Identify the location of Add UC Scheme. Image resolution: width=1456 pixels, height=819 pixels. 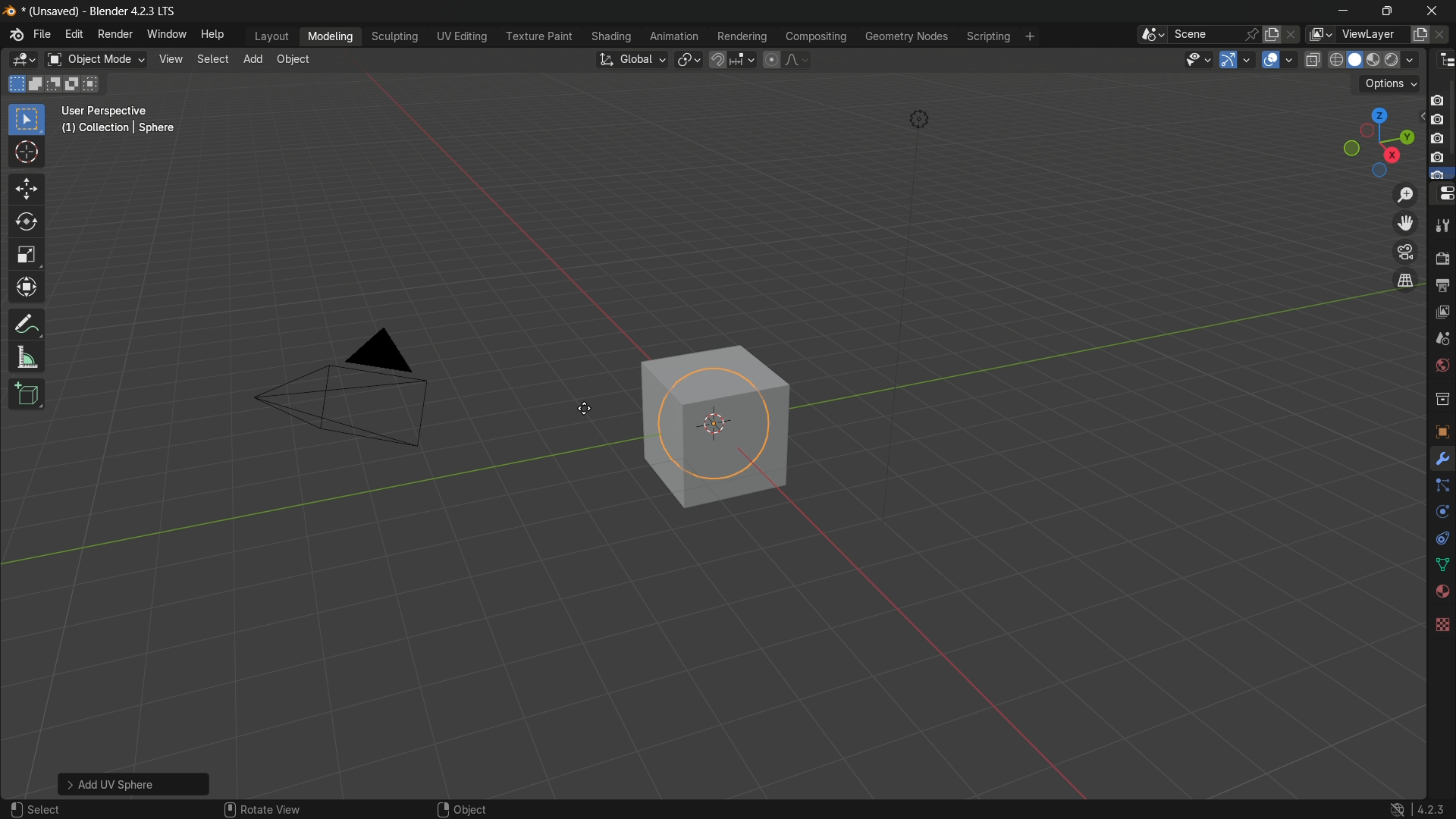
(134, 782).